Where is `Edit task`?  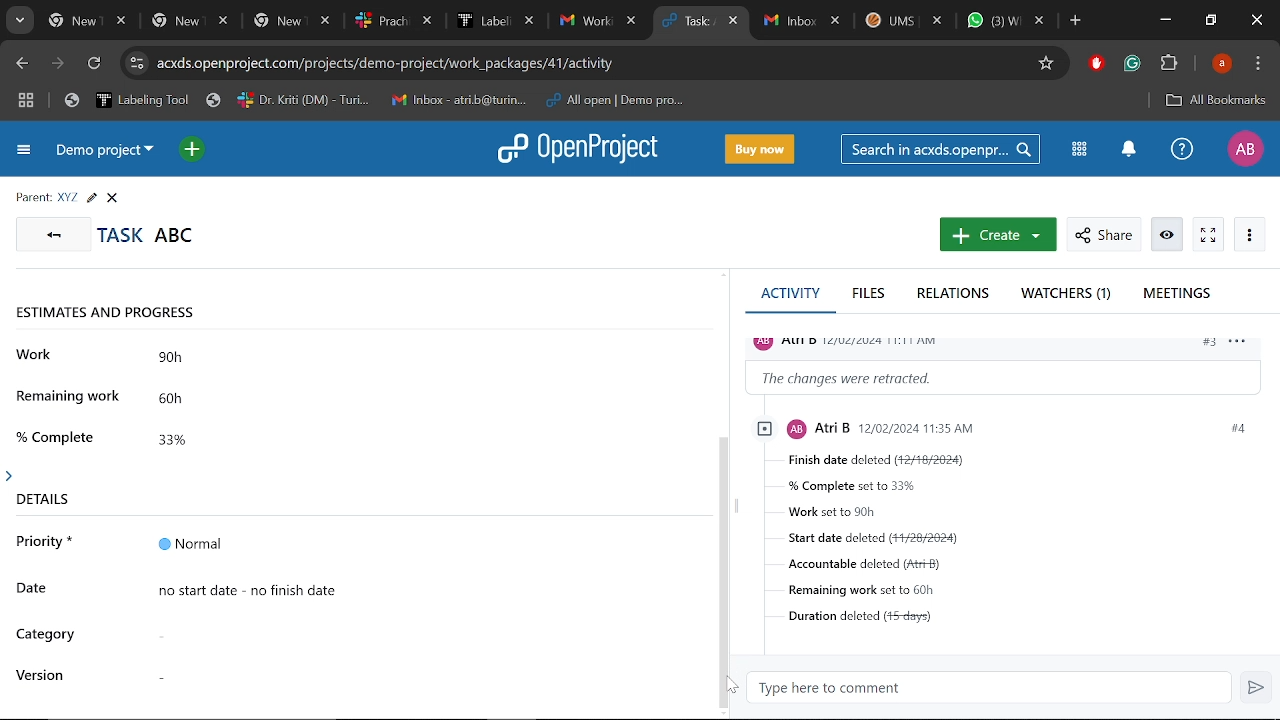
Edit task is located at coordinates (91, 198).